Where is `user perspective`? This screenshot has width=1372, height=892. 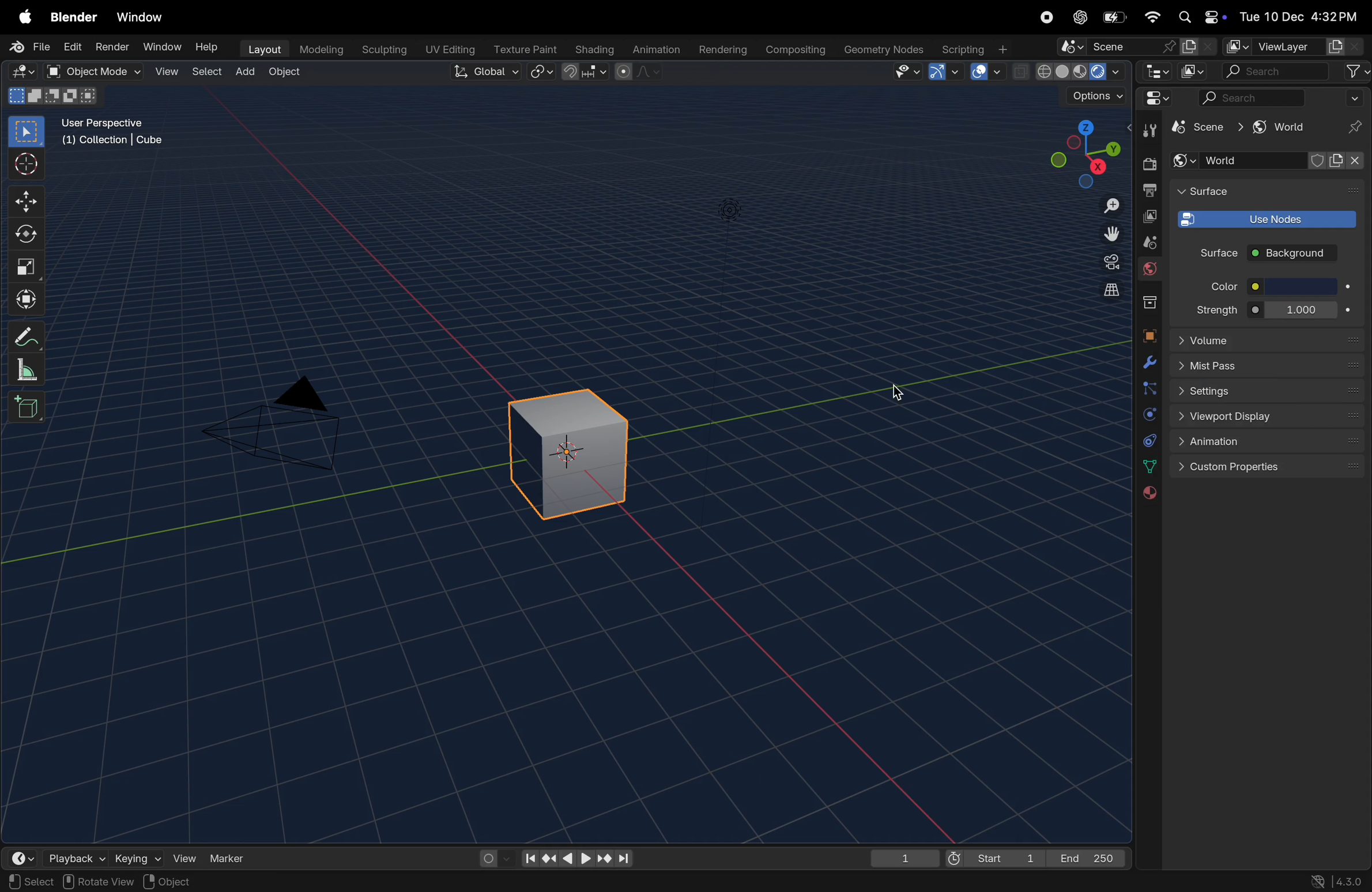 user perspective is located at coordinates (119, 134).